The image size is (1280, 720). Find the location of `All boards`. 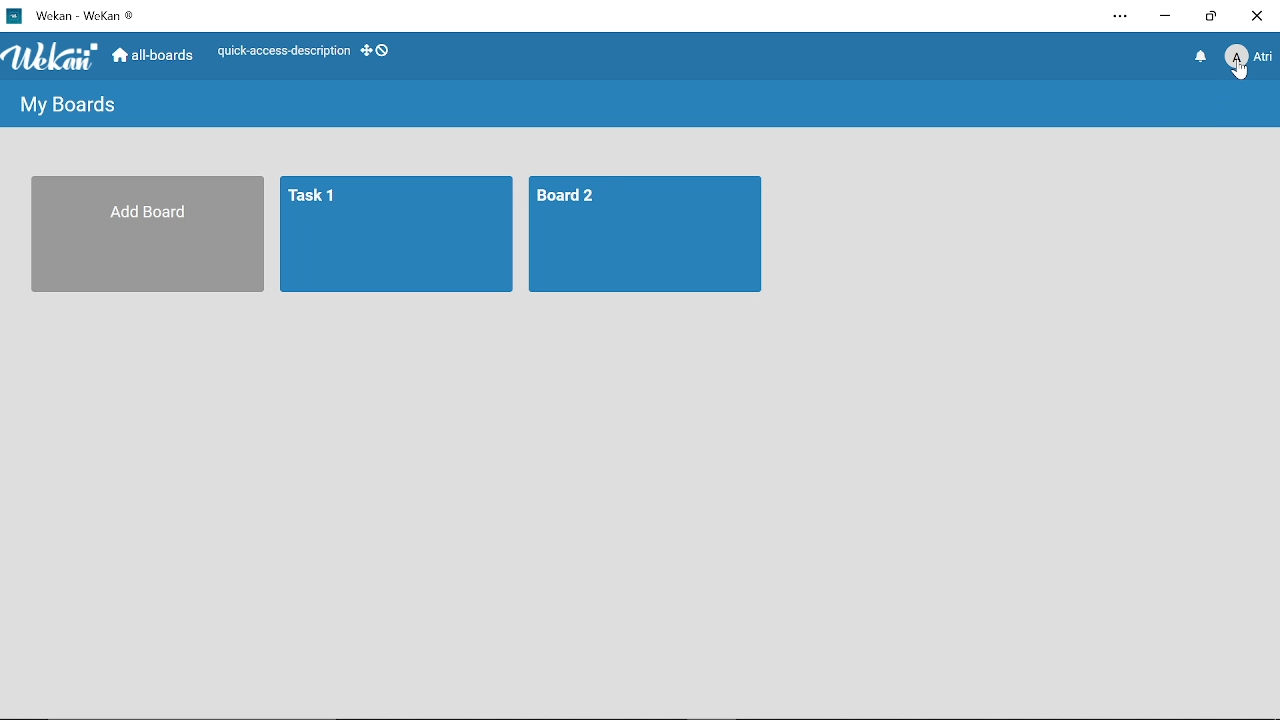

All boards is located at coordinates (150, 235).